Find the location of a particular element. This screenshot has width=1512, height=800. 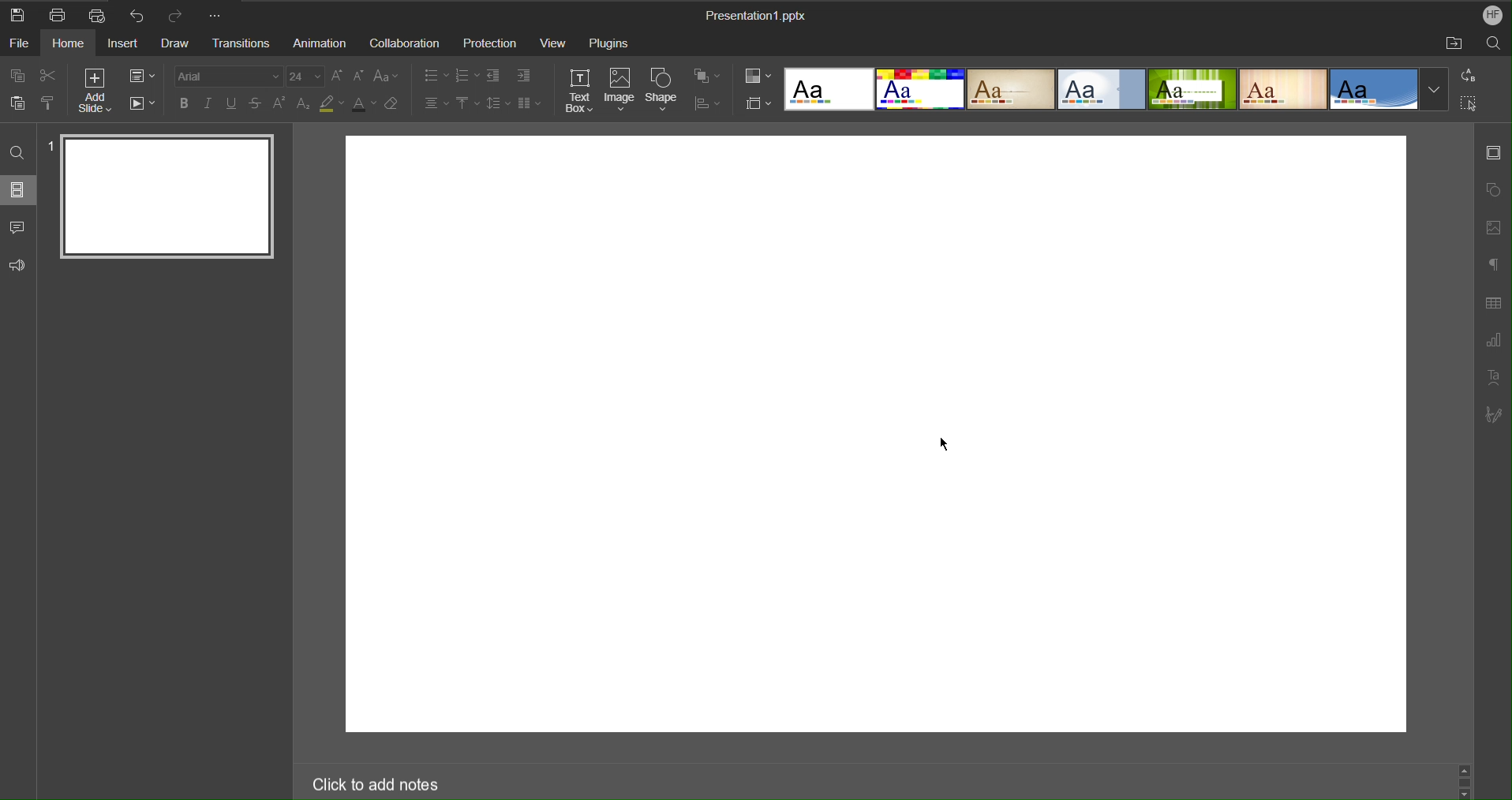

Protection is located at coordinates (492, 41).